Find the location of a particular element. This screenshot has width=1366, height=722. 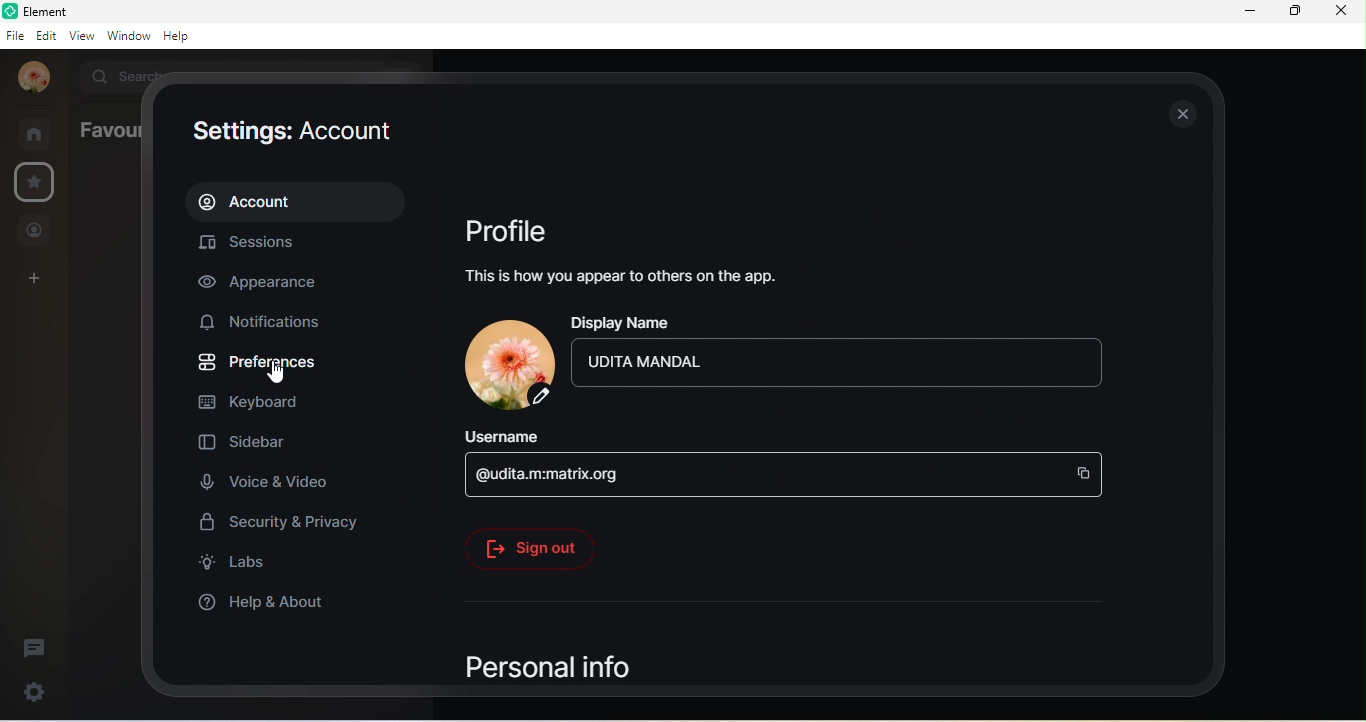

notifications is located at coordinates (270, 324).